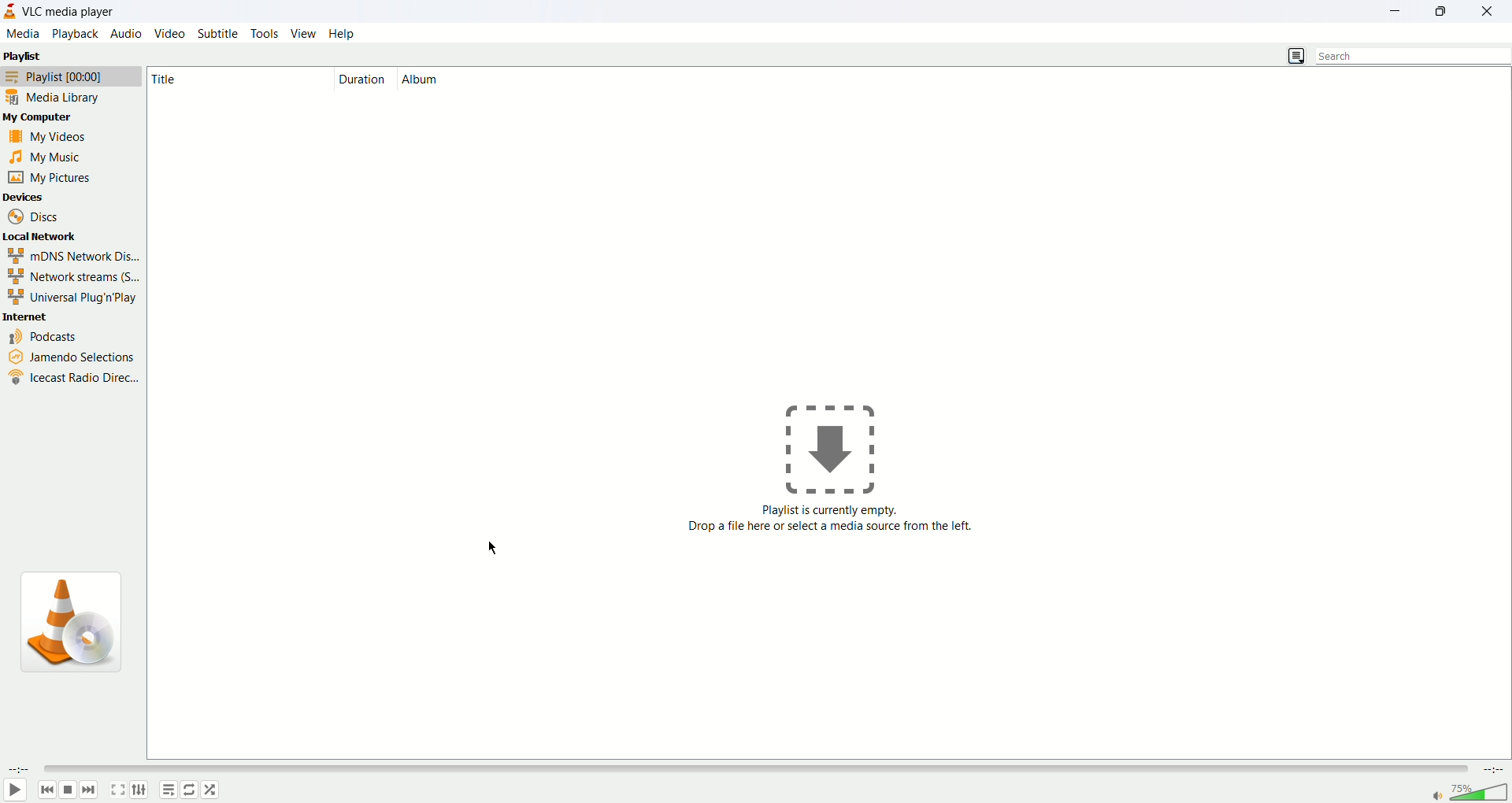  Describe the element at coordinates (1433, 796) in the screenshot. I see `mute/unmute` at that location.